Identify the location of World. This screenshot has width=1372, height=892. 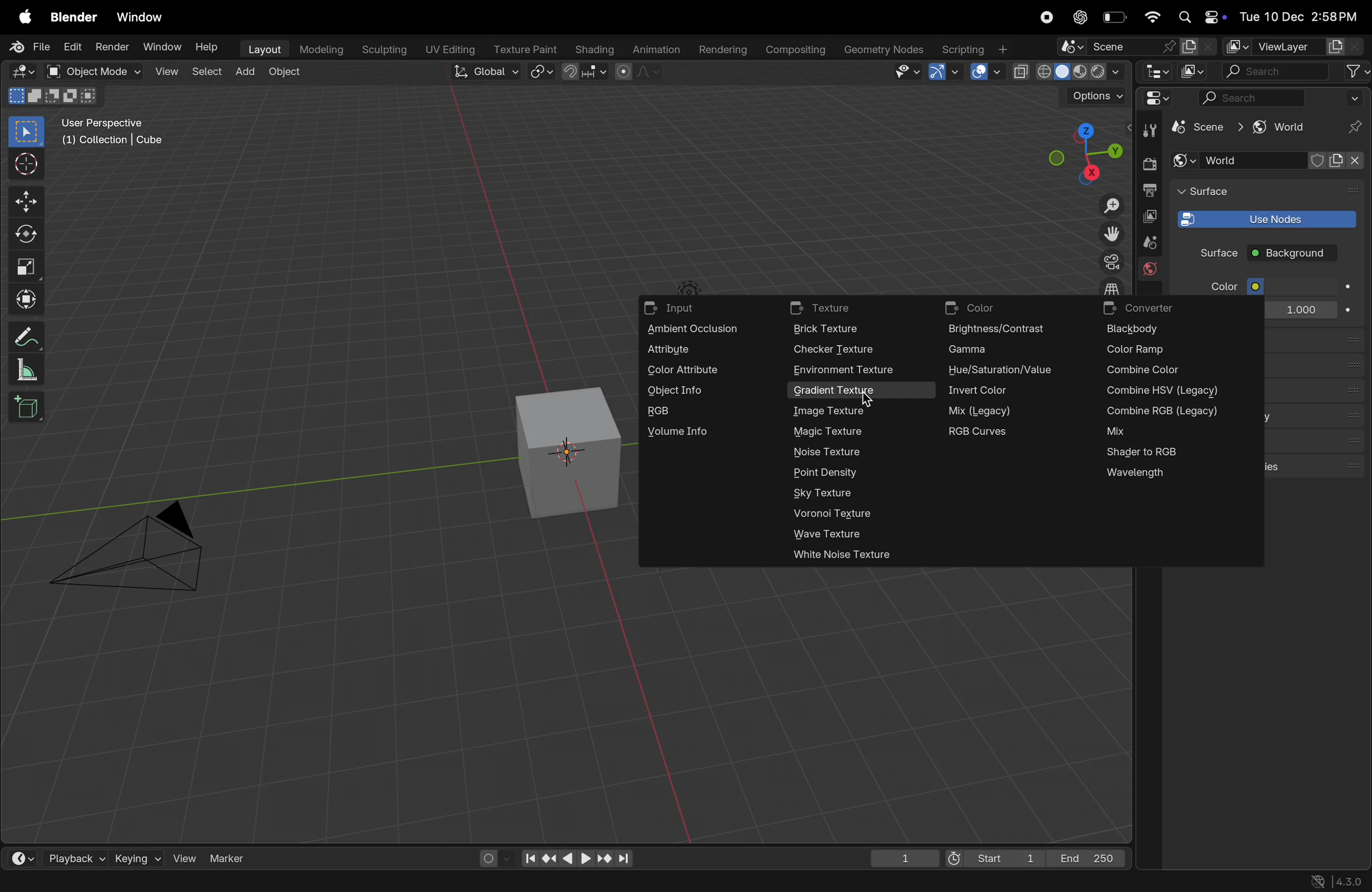
(1149, 270).